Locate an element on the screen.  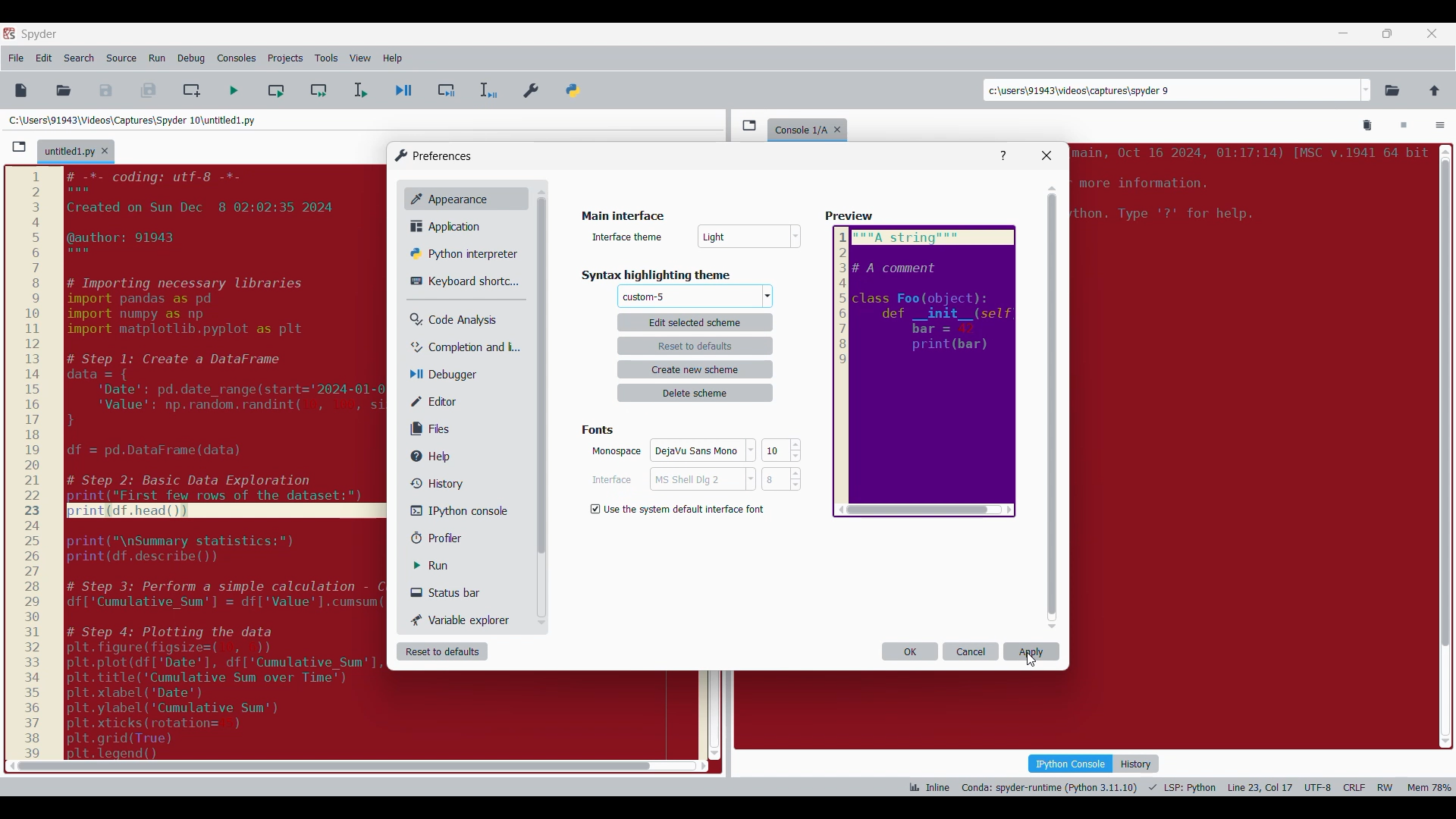
Code analysis is located at coordinates (453, 320).